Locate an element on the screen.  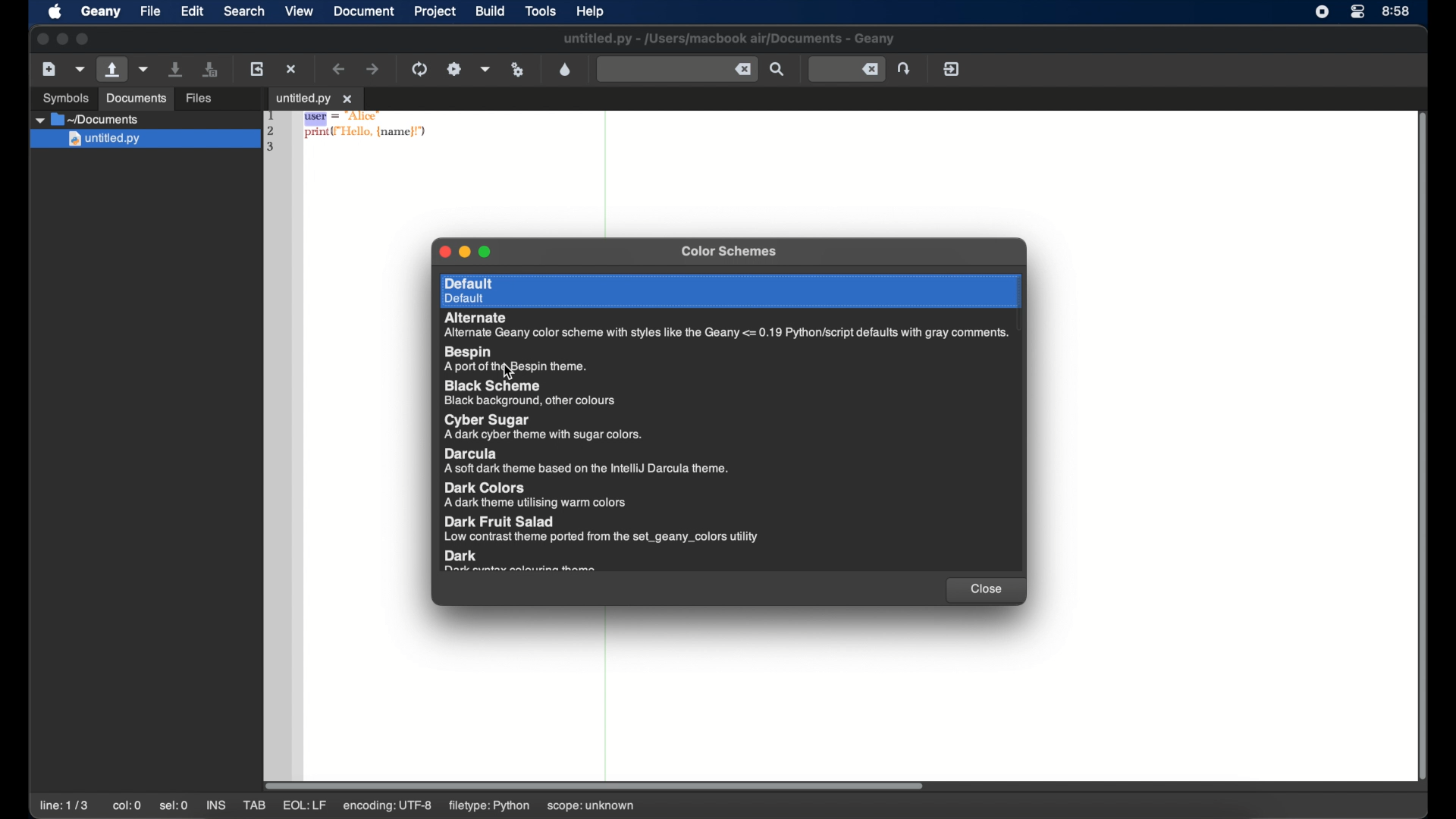
save the current file is located at coordinates (177, 70).